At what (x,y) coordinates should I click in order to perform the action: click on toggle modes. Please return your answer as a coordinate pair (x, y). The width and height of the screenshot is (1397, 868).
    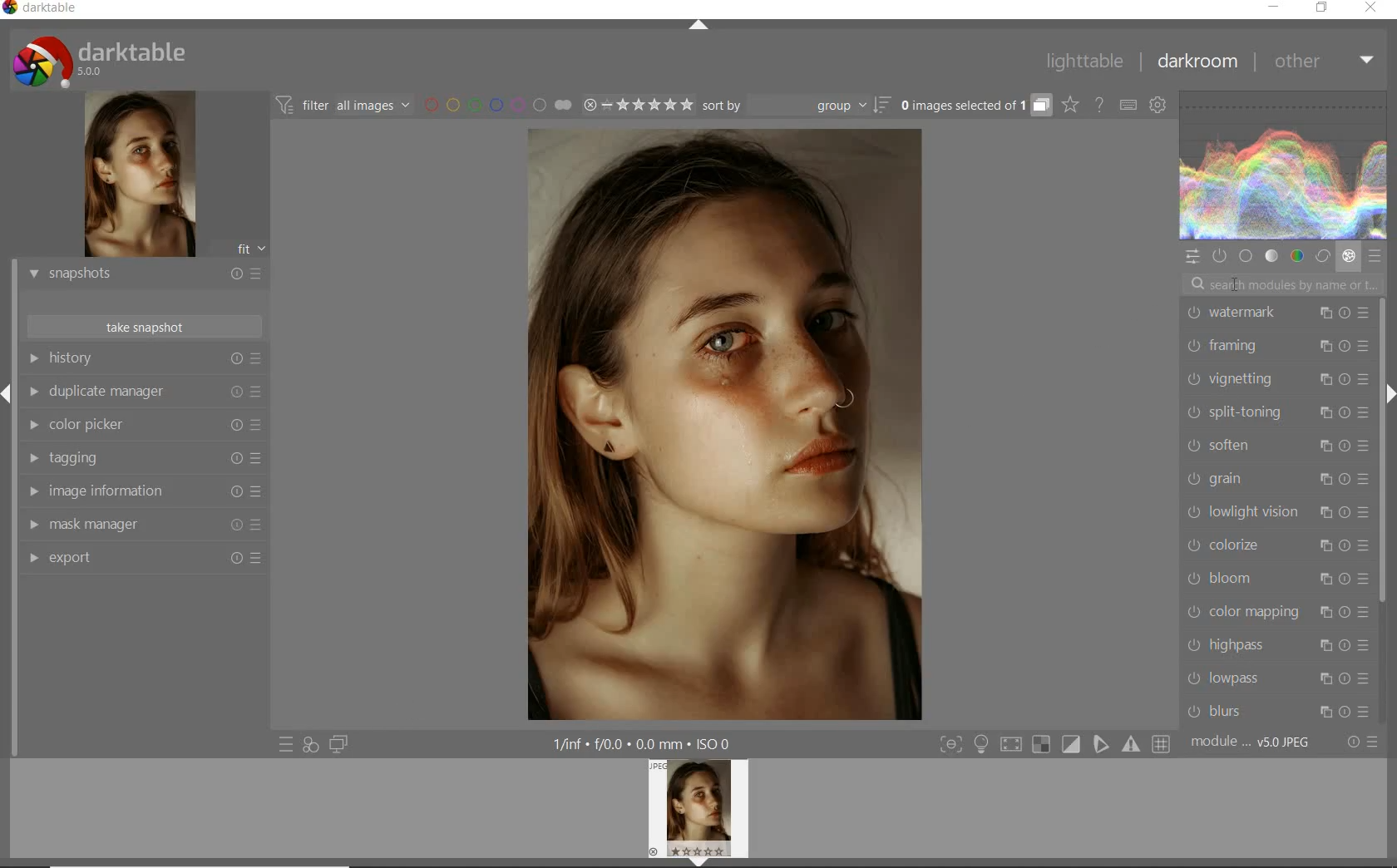
    Looking at the image, I should click on (1055, 744).